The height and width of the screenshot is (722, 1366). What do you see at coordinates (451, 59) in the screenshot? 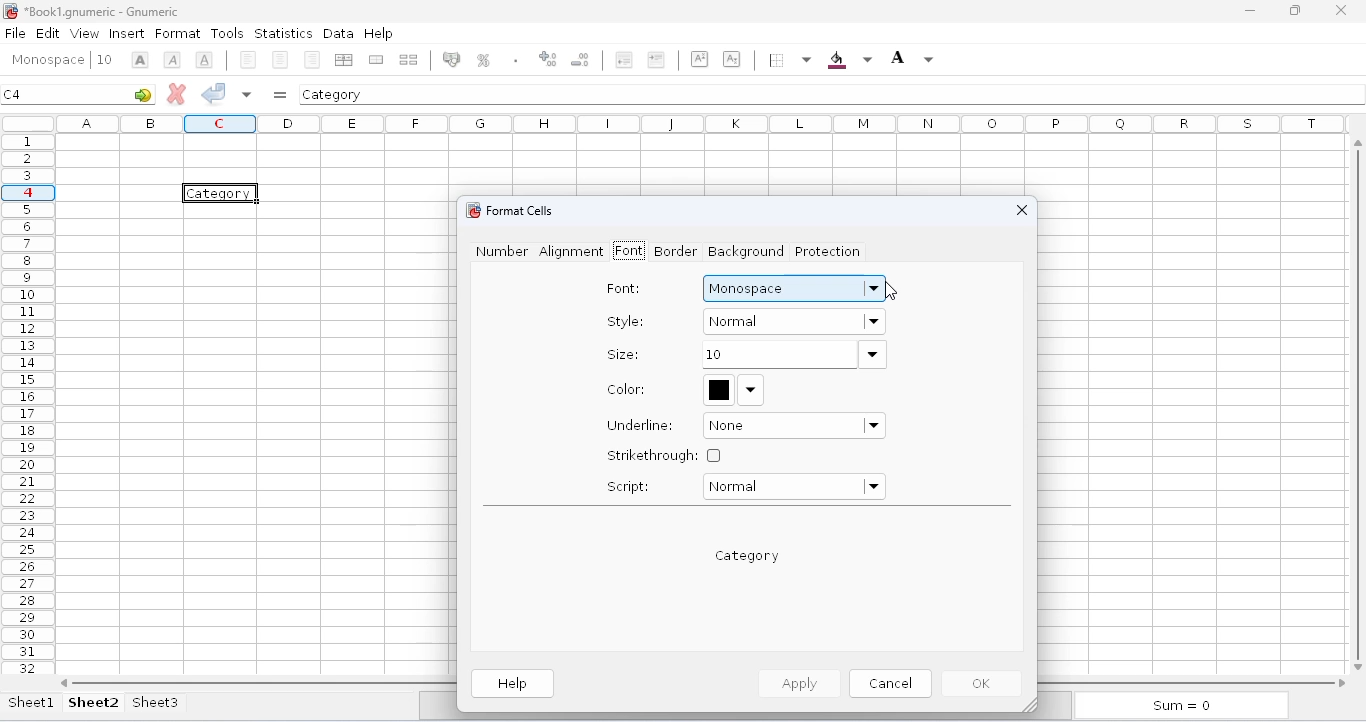
I see `format the selection as accounting` at bounding box center [451, 59].